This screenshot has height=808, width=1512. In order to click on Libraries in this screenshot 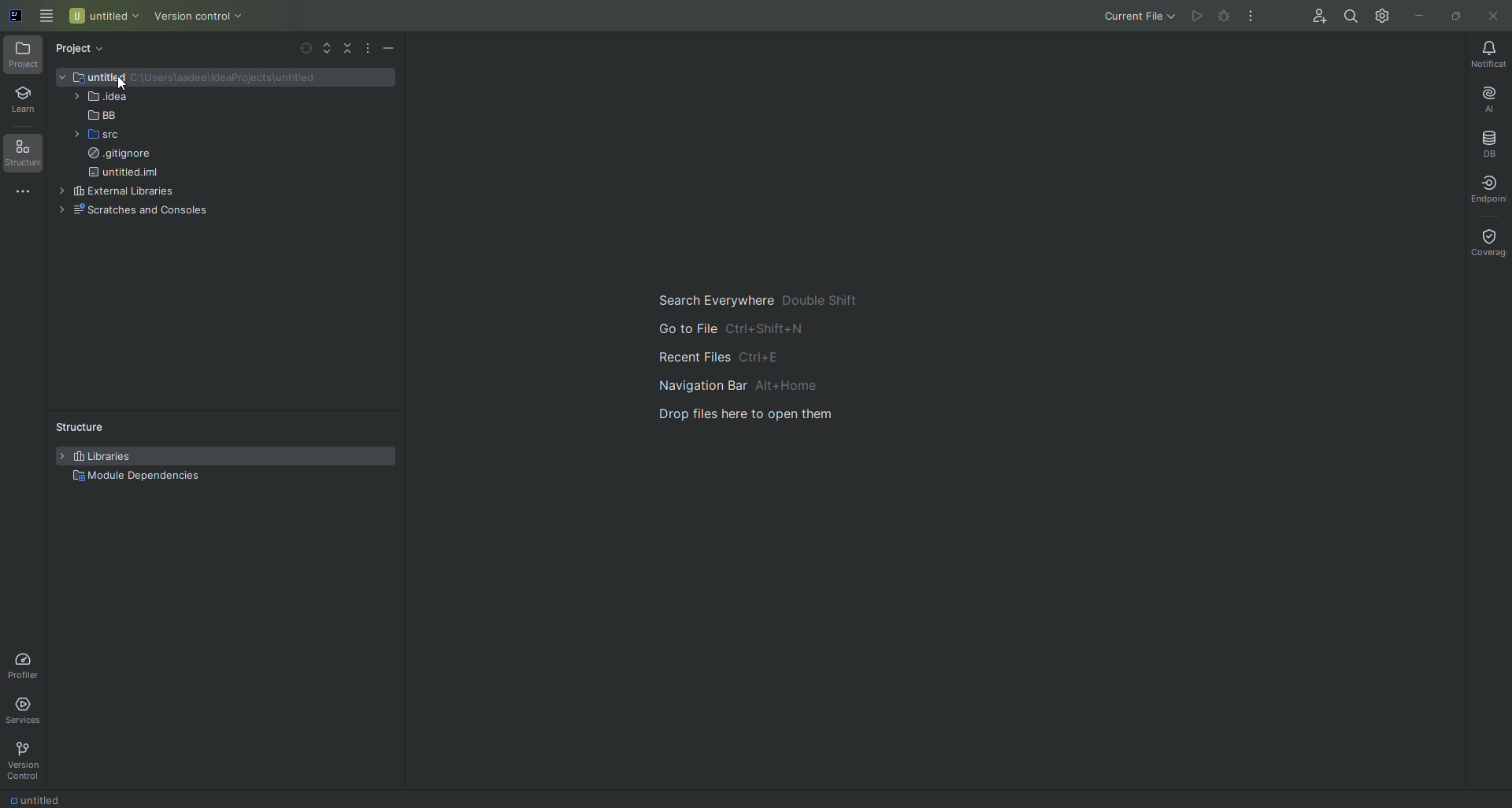, I will do `click(102, 457)`.